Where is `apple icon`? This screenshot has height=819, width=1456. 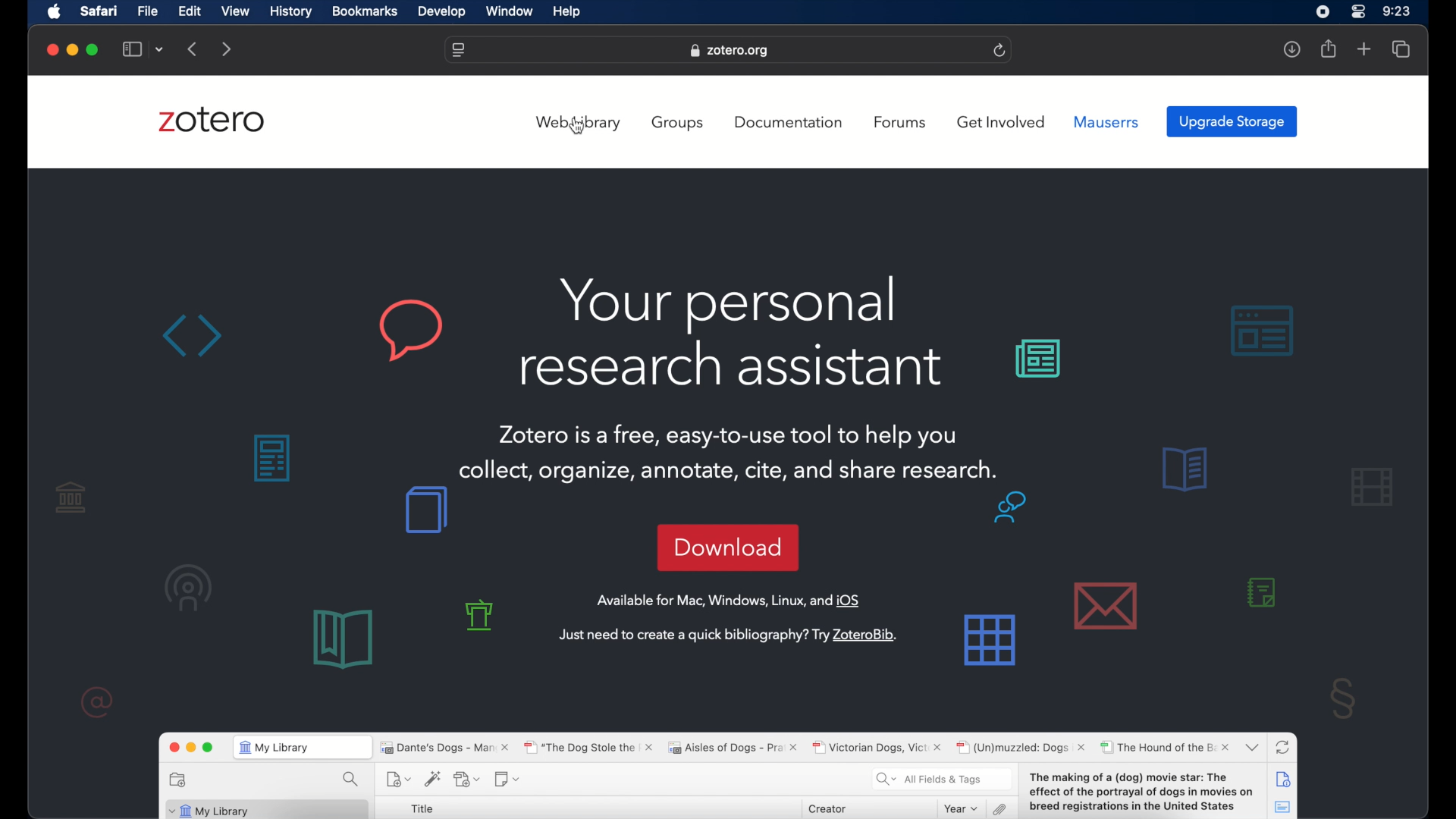 apple icon is located at coordinates (55, 12).